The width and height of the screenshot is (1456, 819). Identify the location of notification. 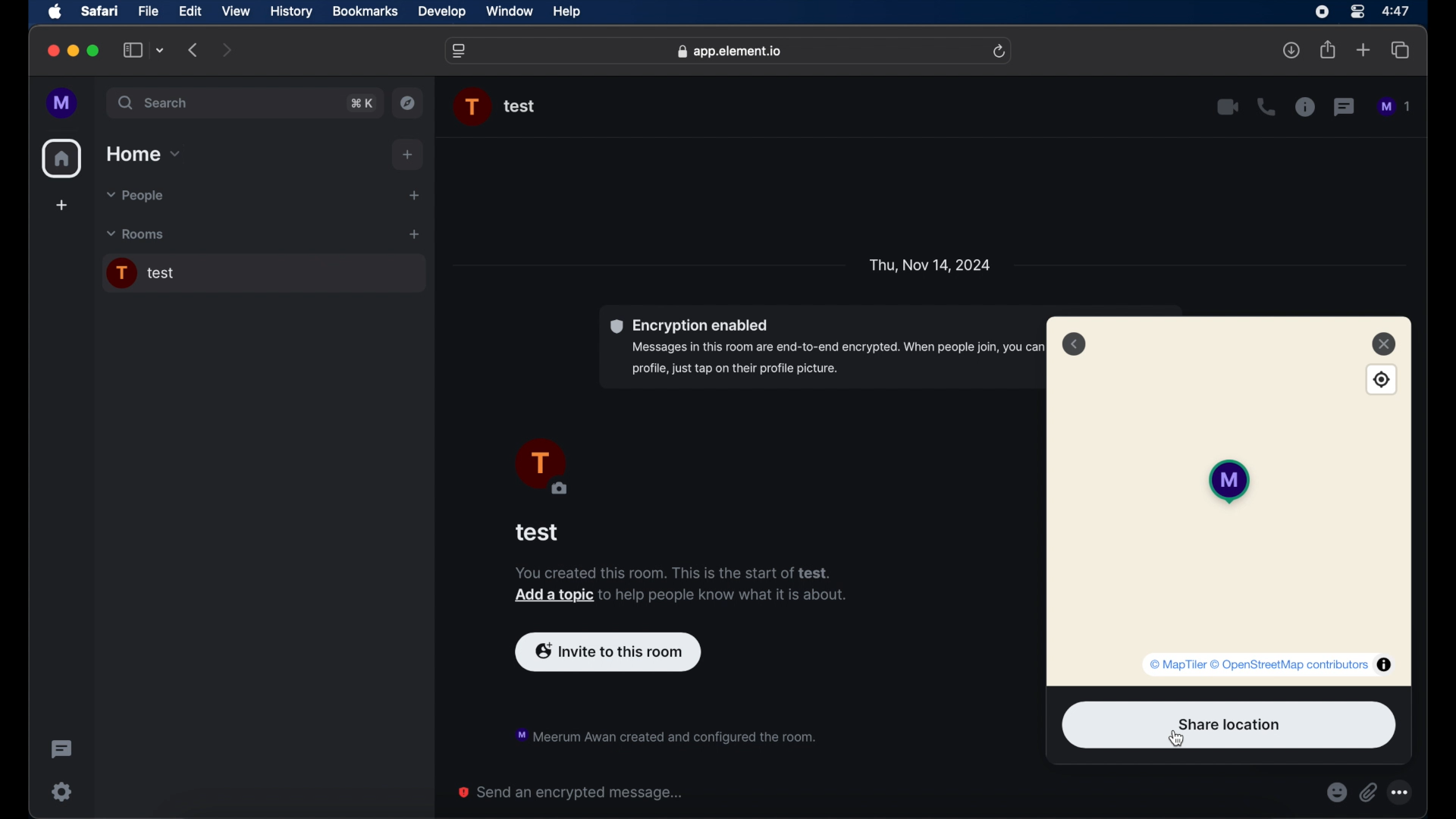
(681, 585).